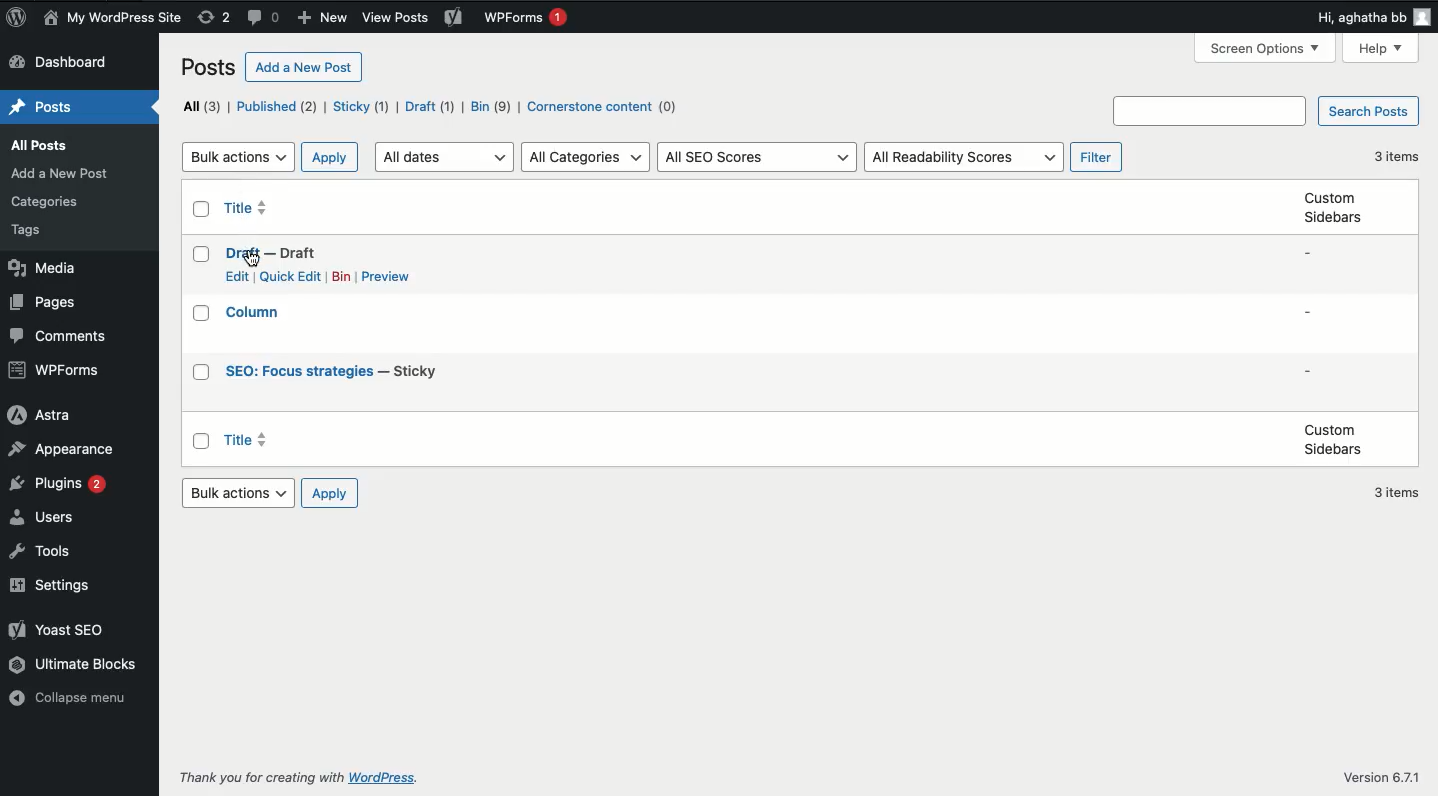 The image size is (1438, 796). What do you see at coordinates (202, 442) in the screenshot?
I see `Checkbox` at bounding box center [202, 442].